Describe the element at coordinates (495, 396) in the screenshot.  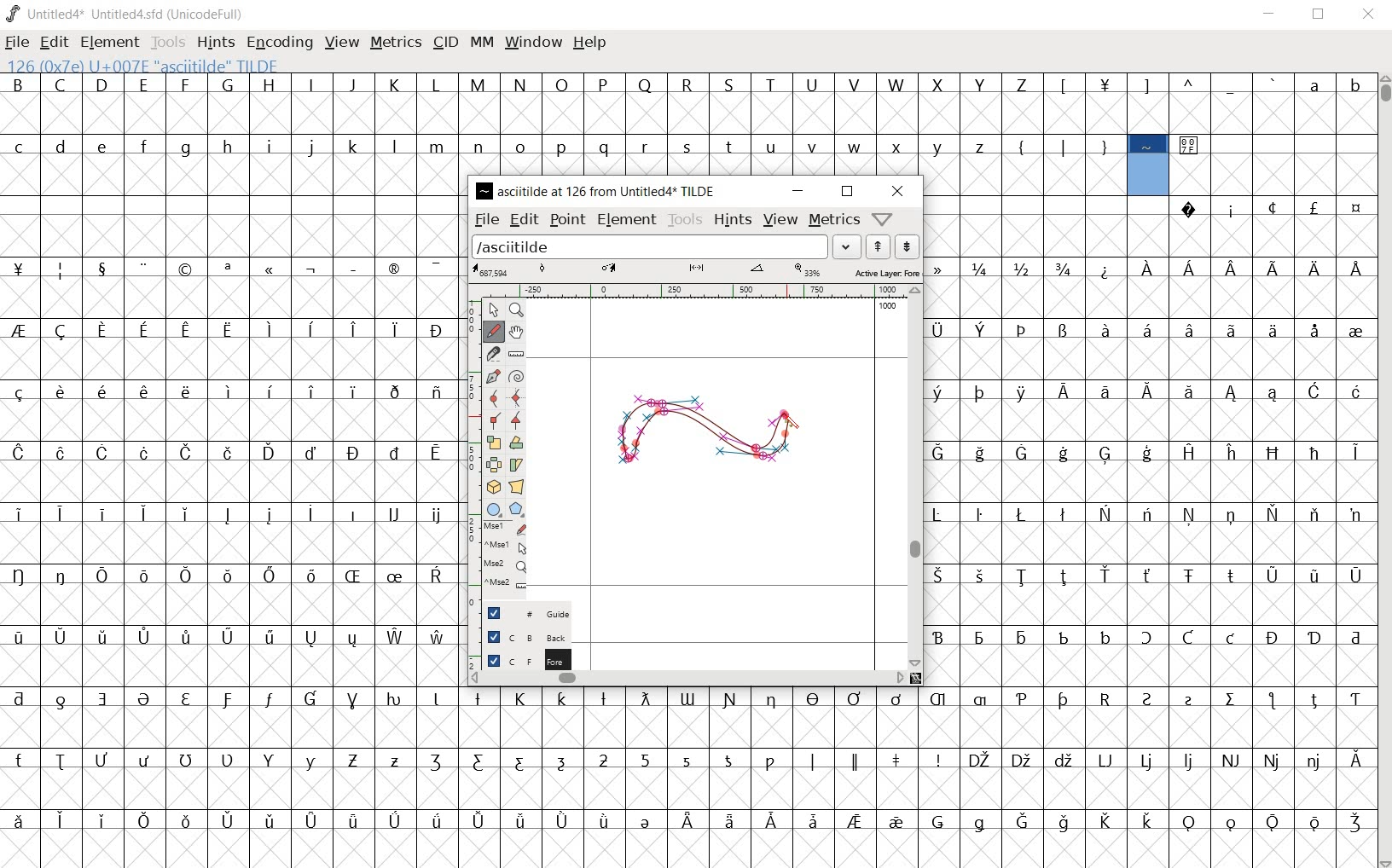
I see `add a curve point` at that location.